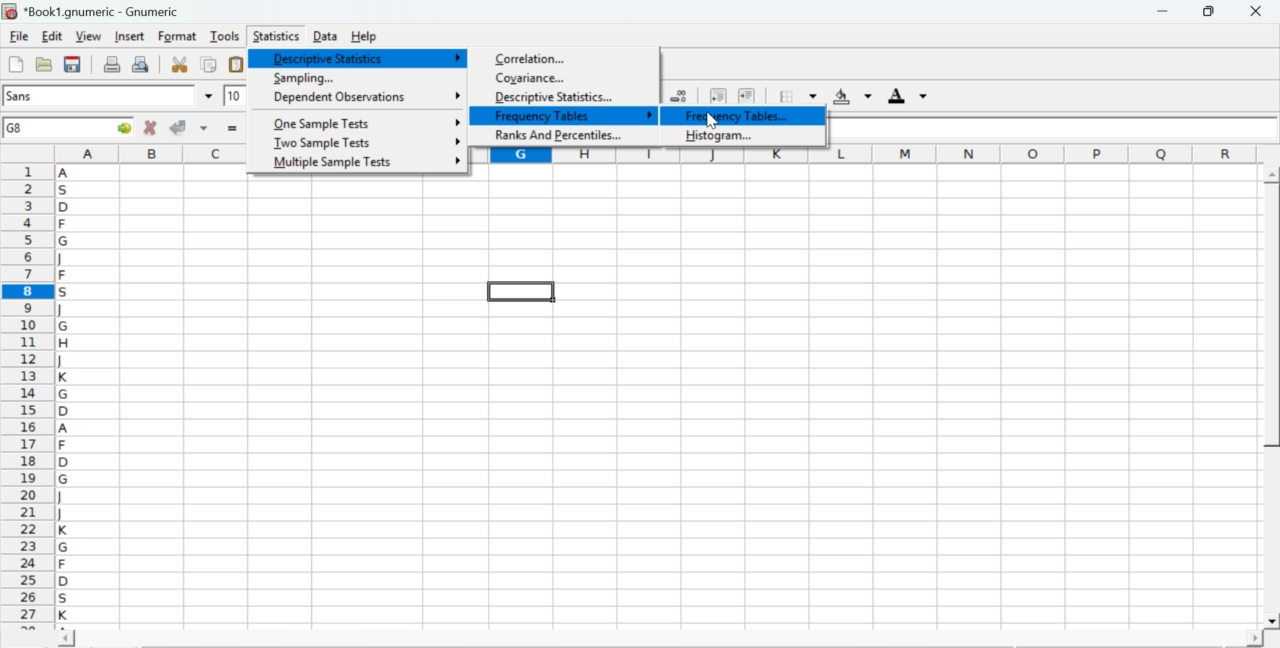 The image size is (1280, 648). Describe the element at coordinates (210, 64) in the screenshot. I see `copy` at that location.